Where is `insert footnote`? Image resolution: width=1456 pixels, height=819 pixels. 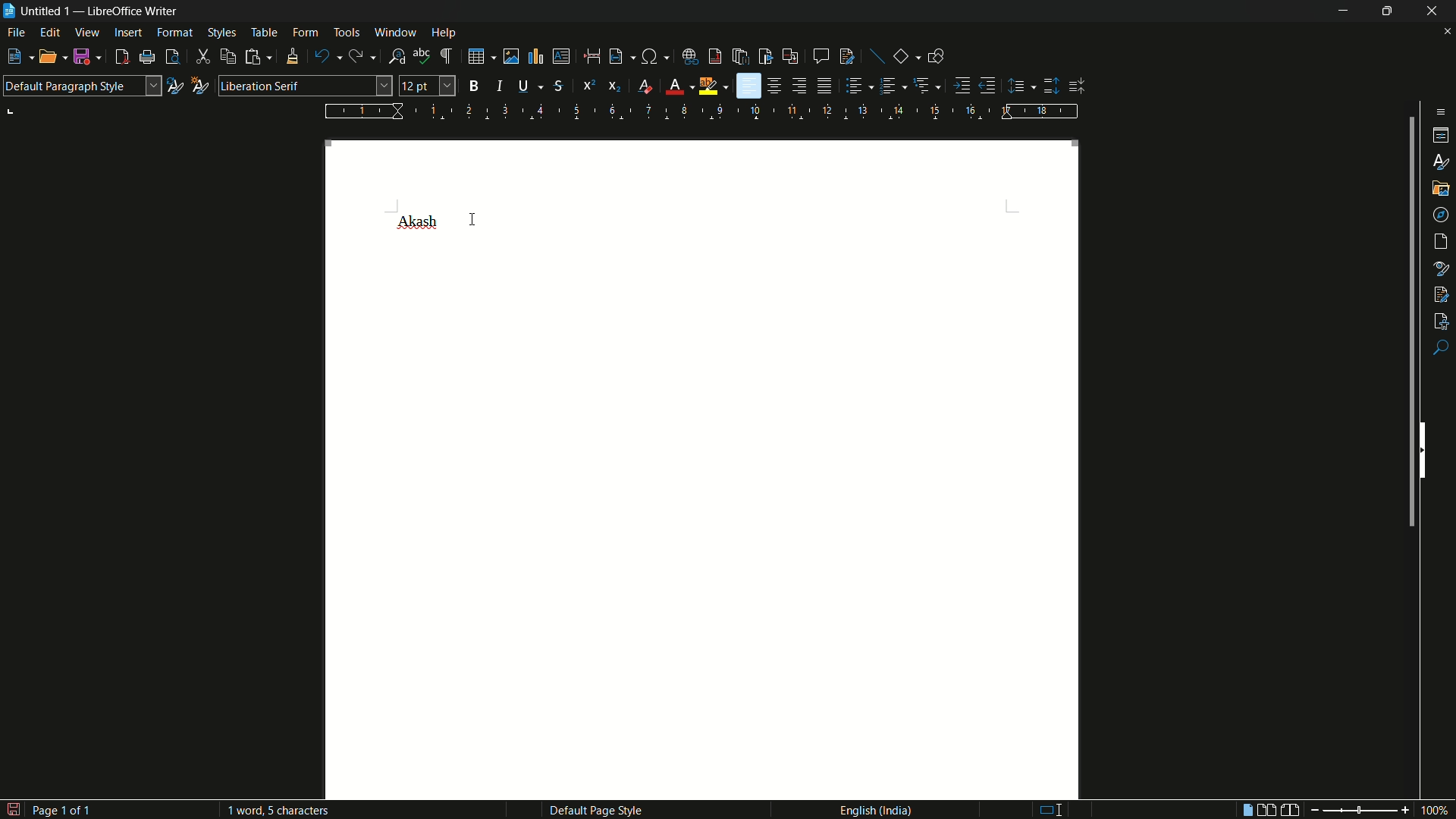
insert footnote is located at coordinates (716, 56).